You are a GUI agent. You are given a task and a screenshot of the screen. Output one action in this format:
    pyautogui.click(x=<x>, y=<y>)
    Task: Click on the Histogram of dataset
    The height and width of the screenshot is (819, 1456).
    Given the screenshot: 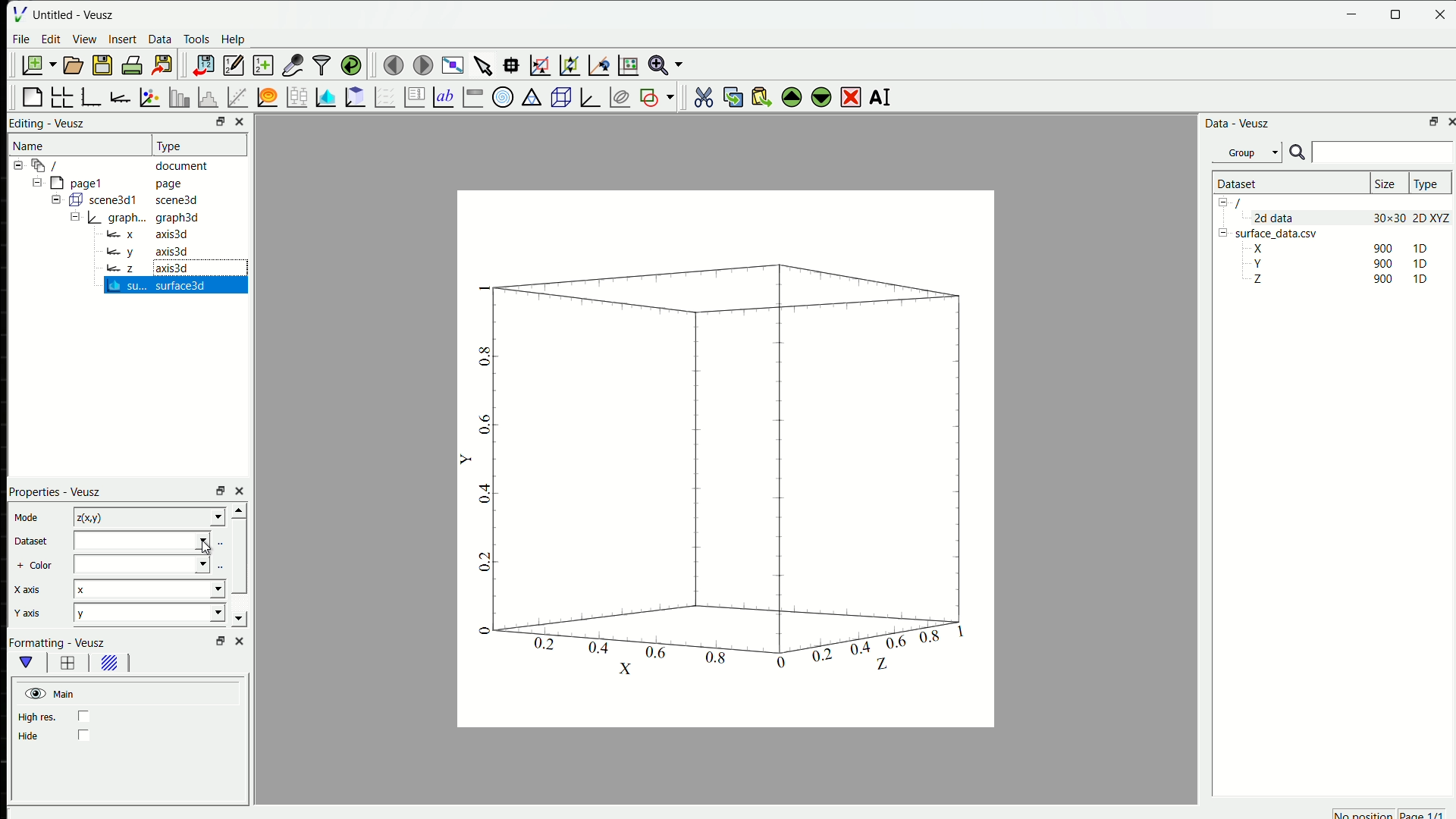 What is the action you would take?
    pyautogui.click(x=209, y=96)
    